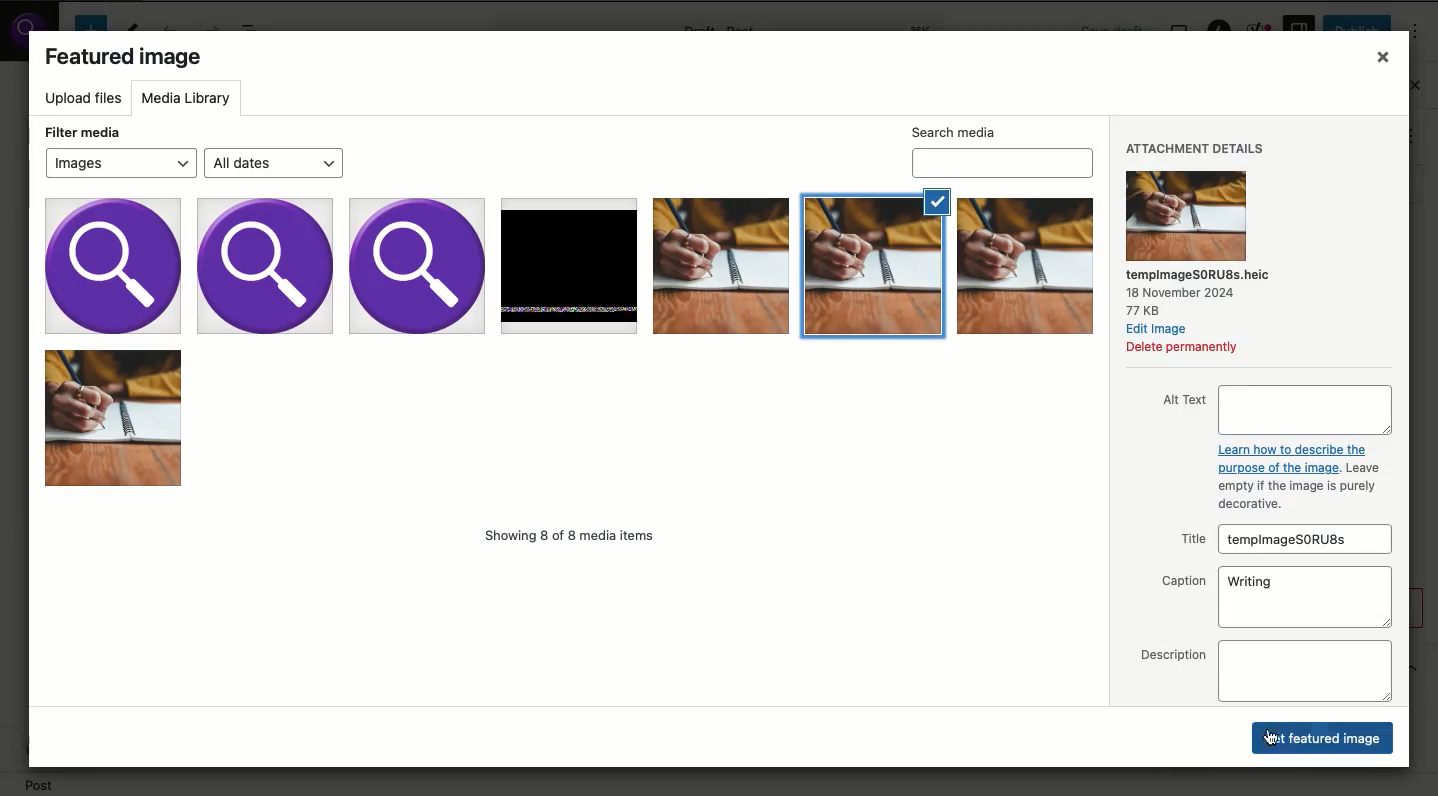  What do you see at coordinates (1302, 540) in the screenshot?
I see `Title` at bounding box center [1302, 540].